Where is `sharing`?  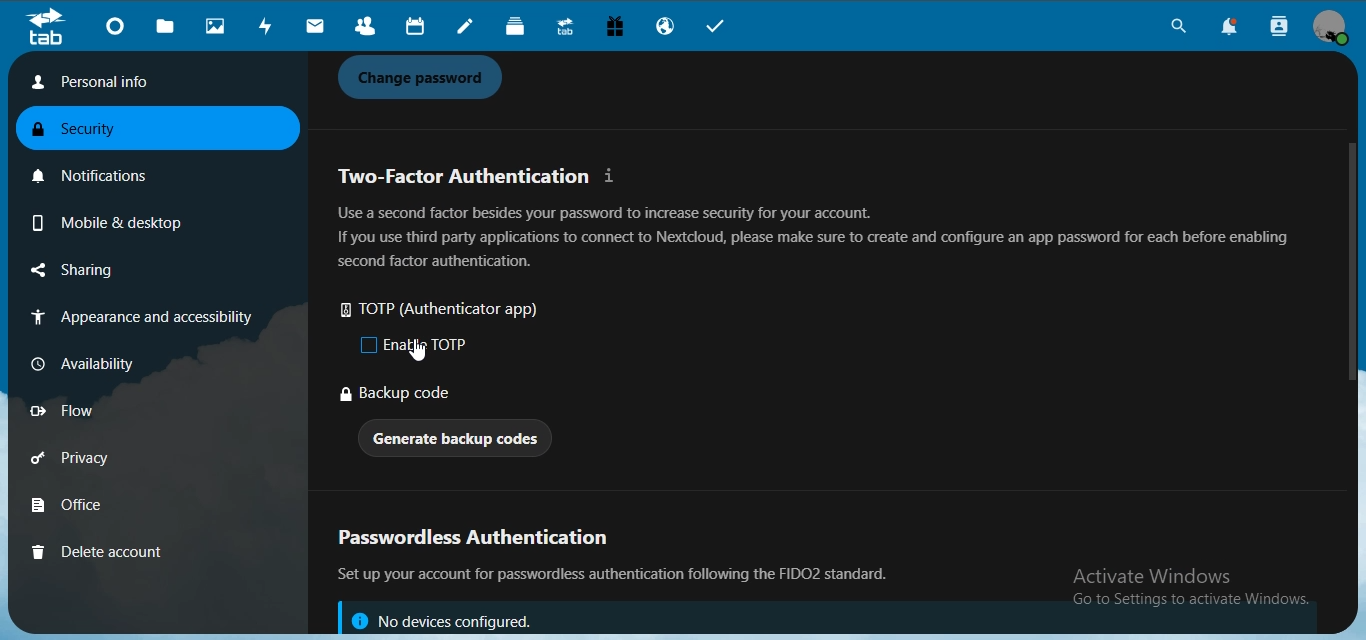 sharing is located at coordinates (103, 271).